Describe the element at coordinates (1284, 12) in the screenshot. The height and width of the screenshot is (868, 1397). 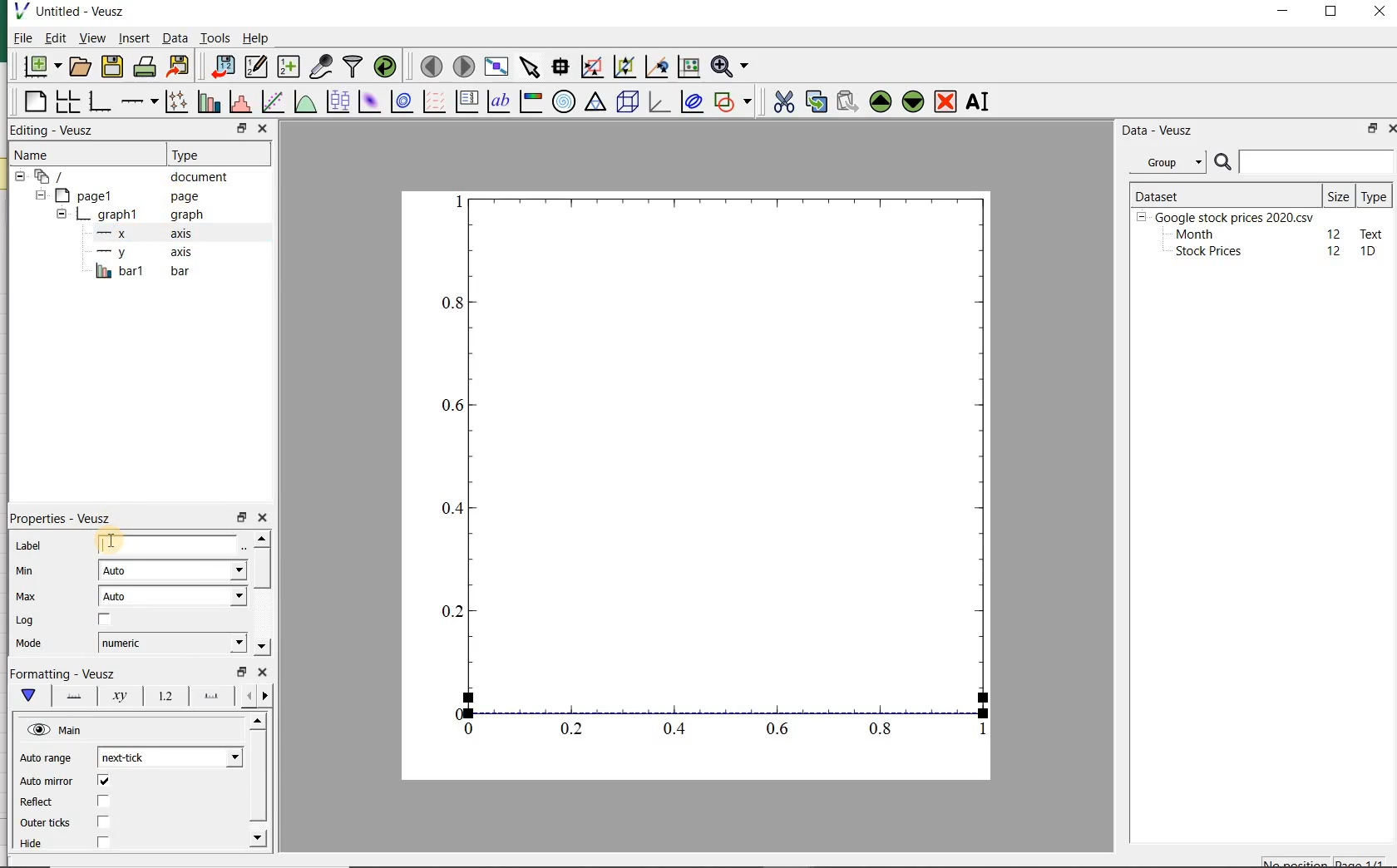
I see `minimize` at that location.